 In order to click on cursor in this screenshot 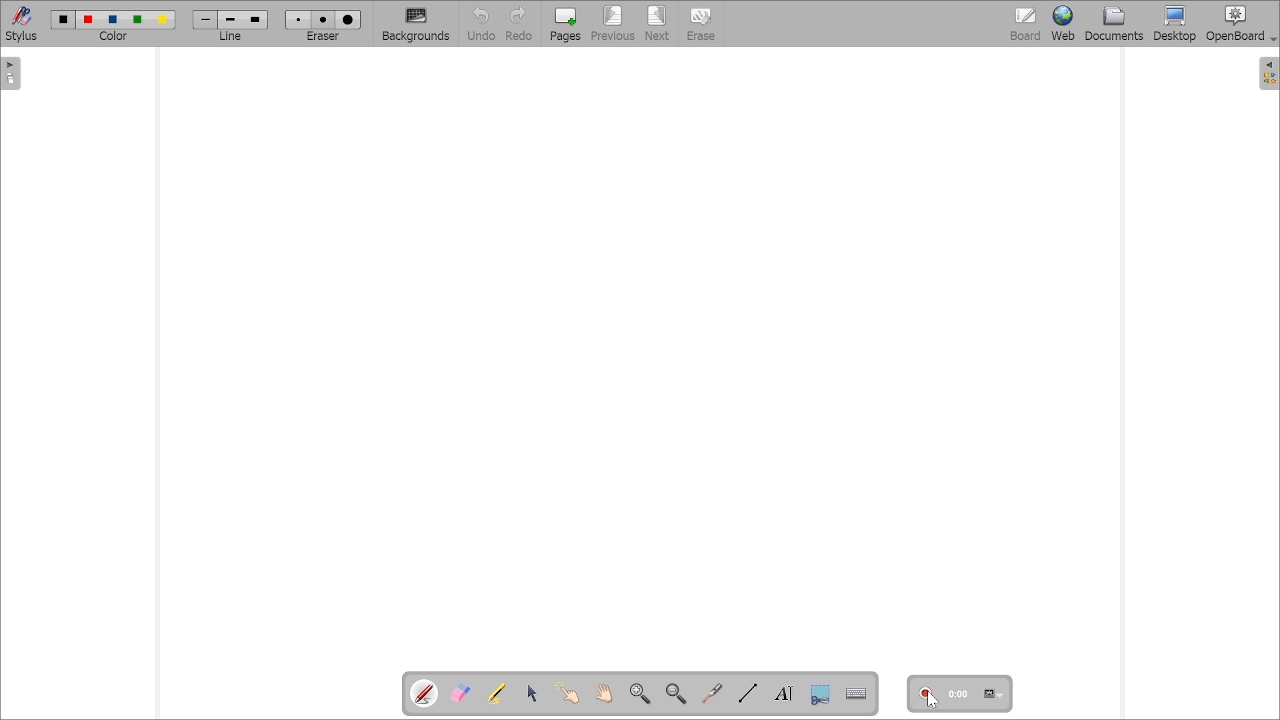, I will do `click(931, 700)`.